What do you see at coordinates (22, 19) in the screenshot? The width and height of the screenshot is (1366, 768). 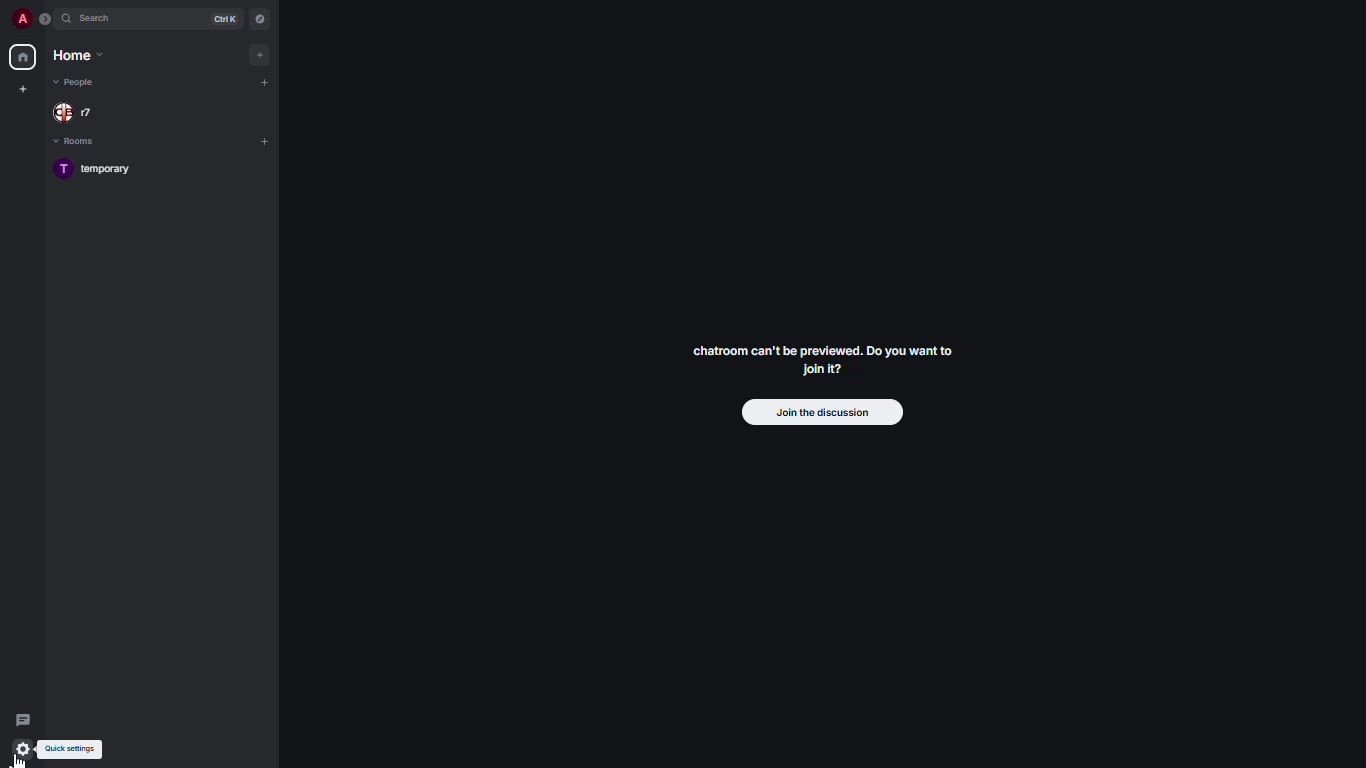 I see `profile` at bounding box center [22, 19].